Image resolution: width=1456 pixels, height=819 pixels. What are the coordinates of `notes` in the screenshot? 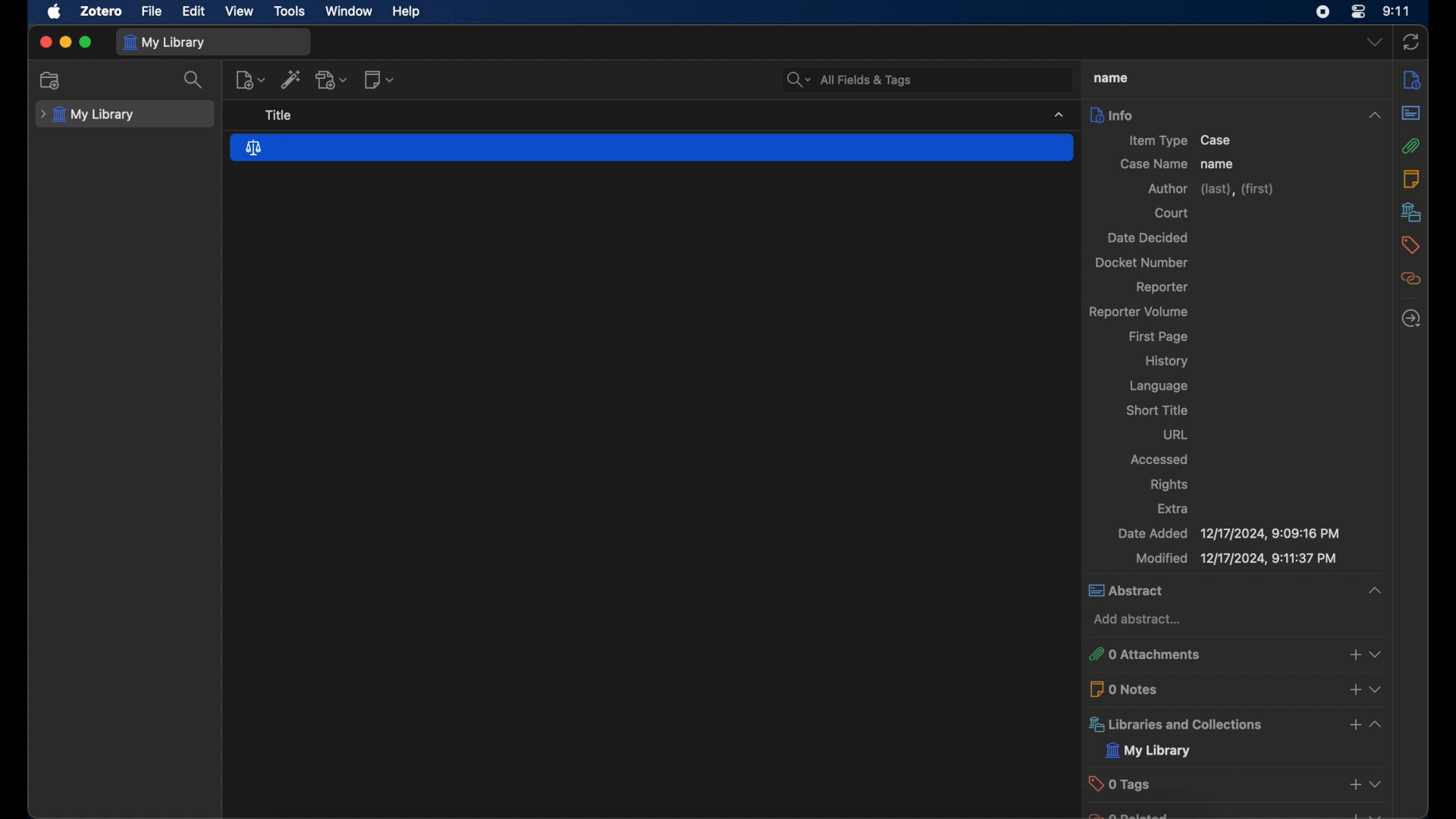 It's located at (1410, 180).